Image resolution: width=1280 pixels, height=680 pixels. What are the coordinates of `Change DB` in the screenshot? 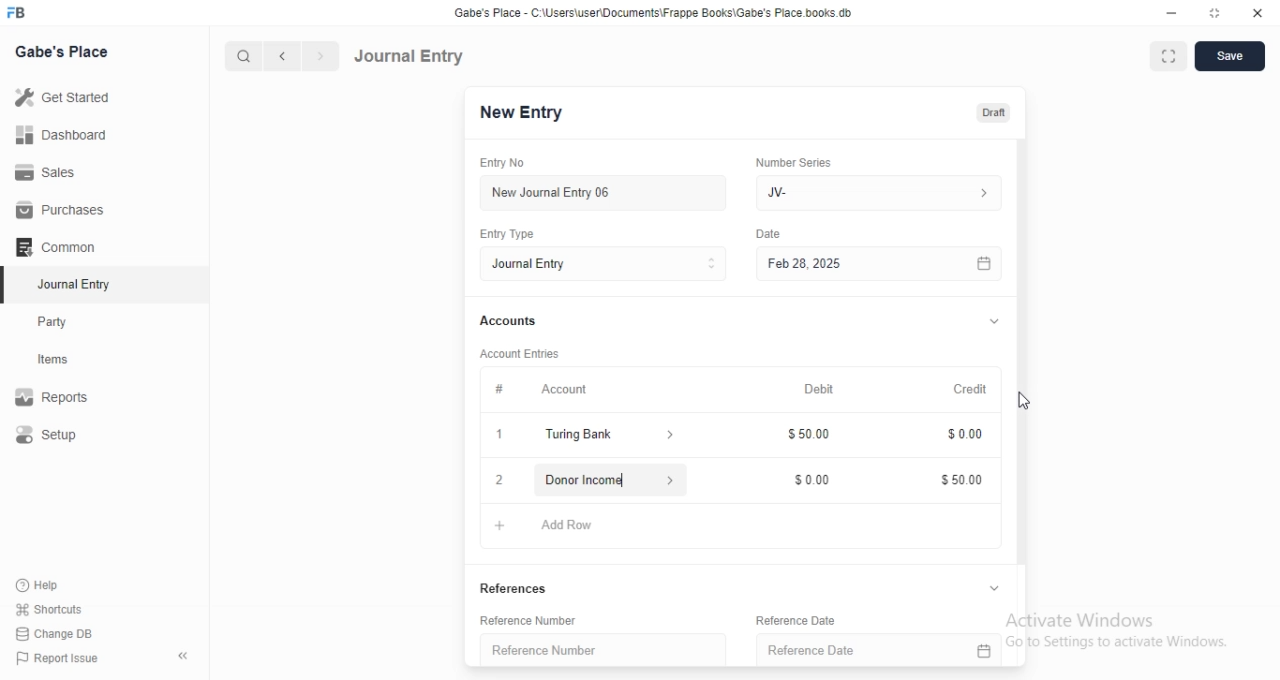 It's located at (60, 633).